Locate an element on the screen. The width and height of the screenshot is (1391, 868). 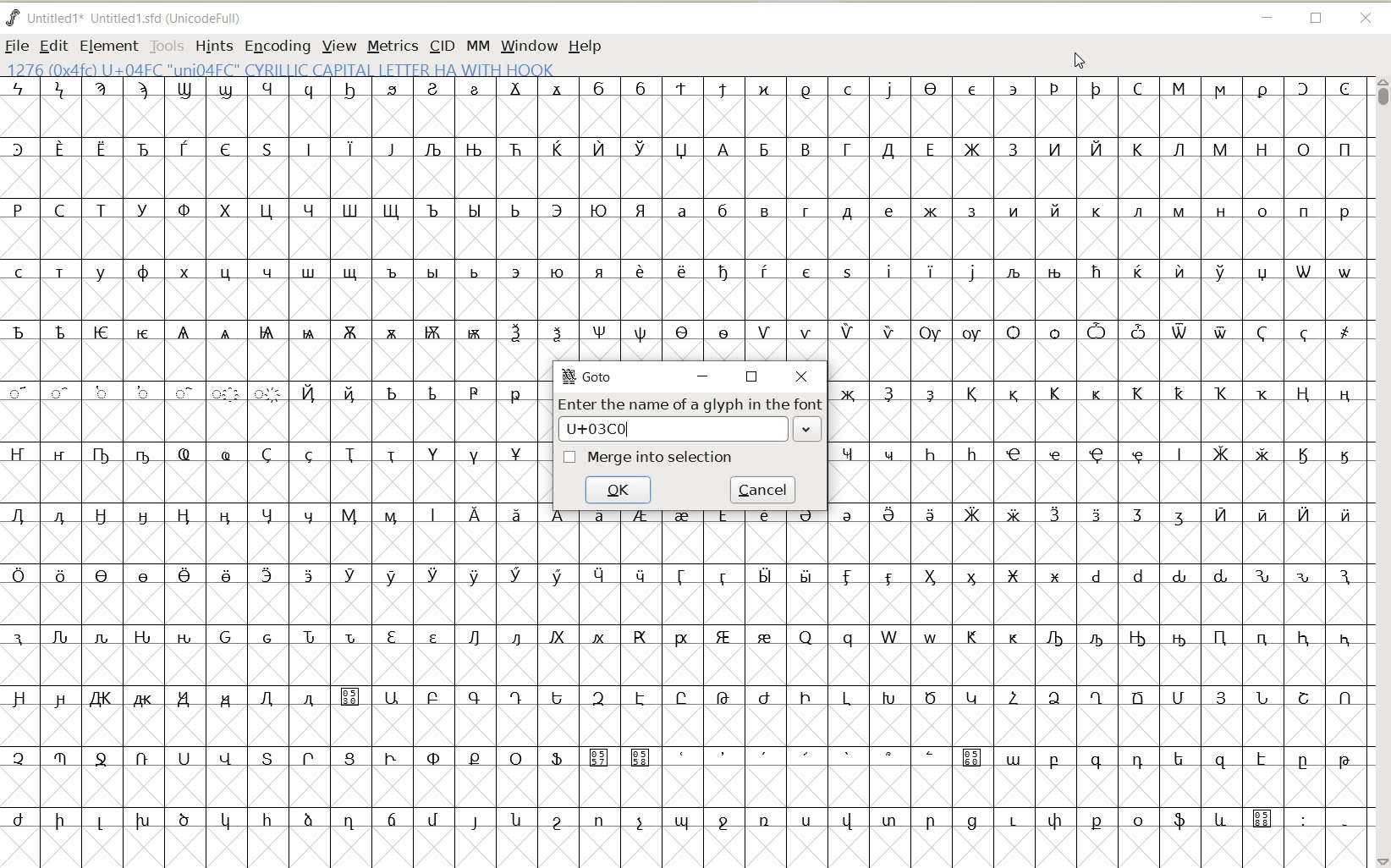
merge into selection is located at coordinates (650, 459).